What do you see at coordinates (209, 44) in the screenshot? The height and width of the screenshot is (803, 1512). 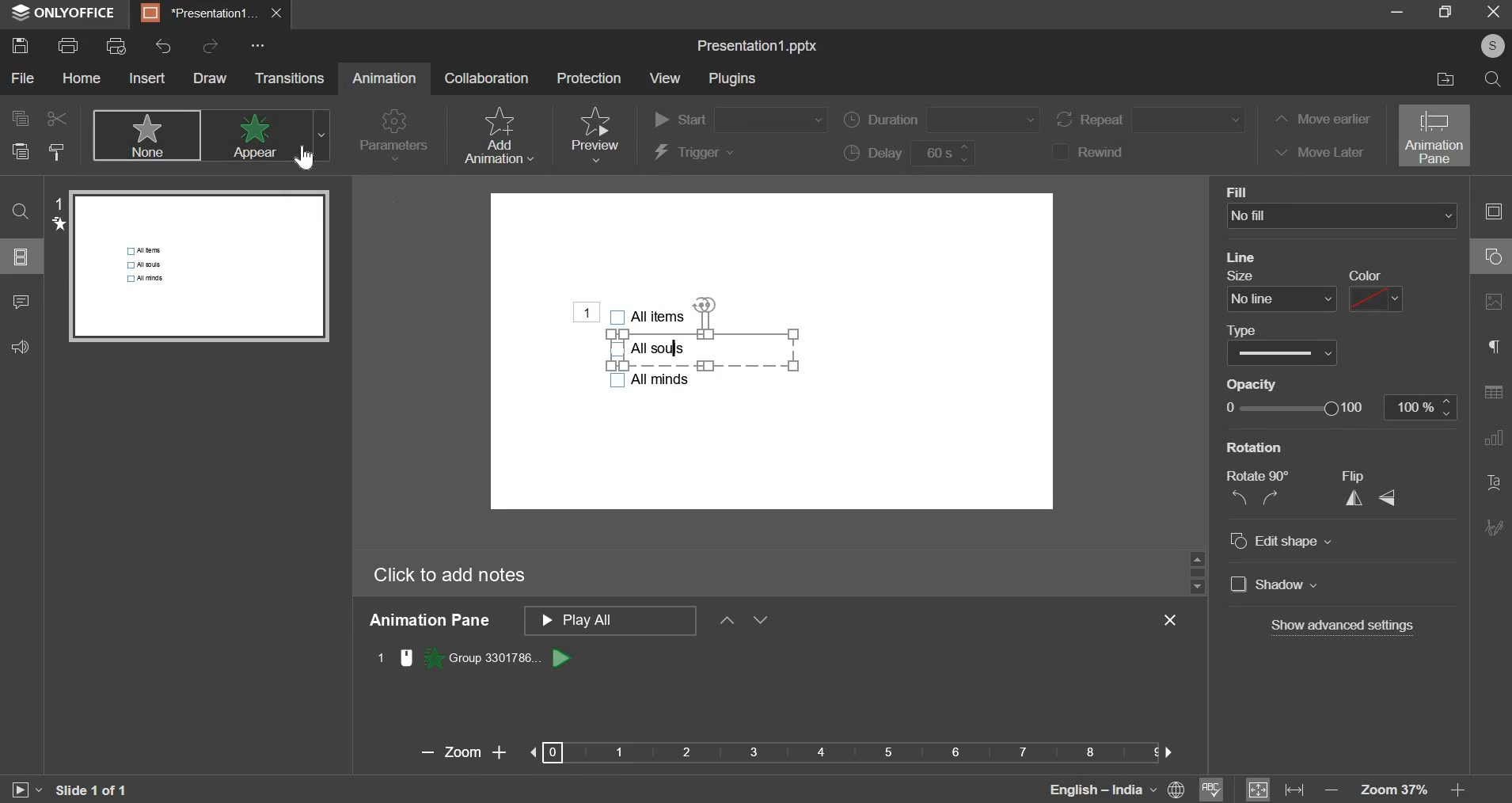 I see `redo` at bounding box center [209, 44].